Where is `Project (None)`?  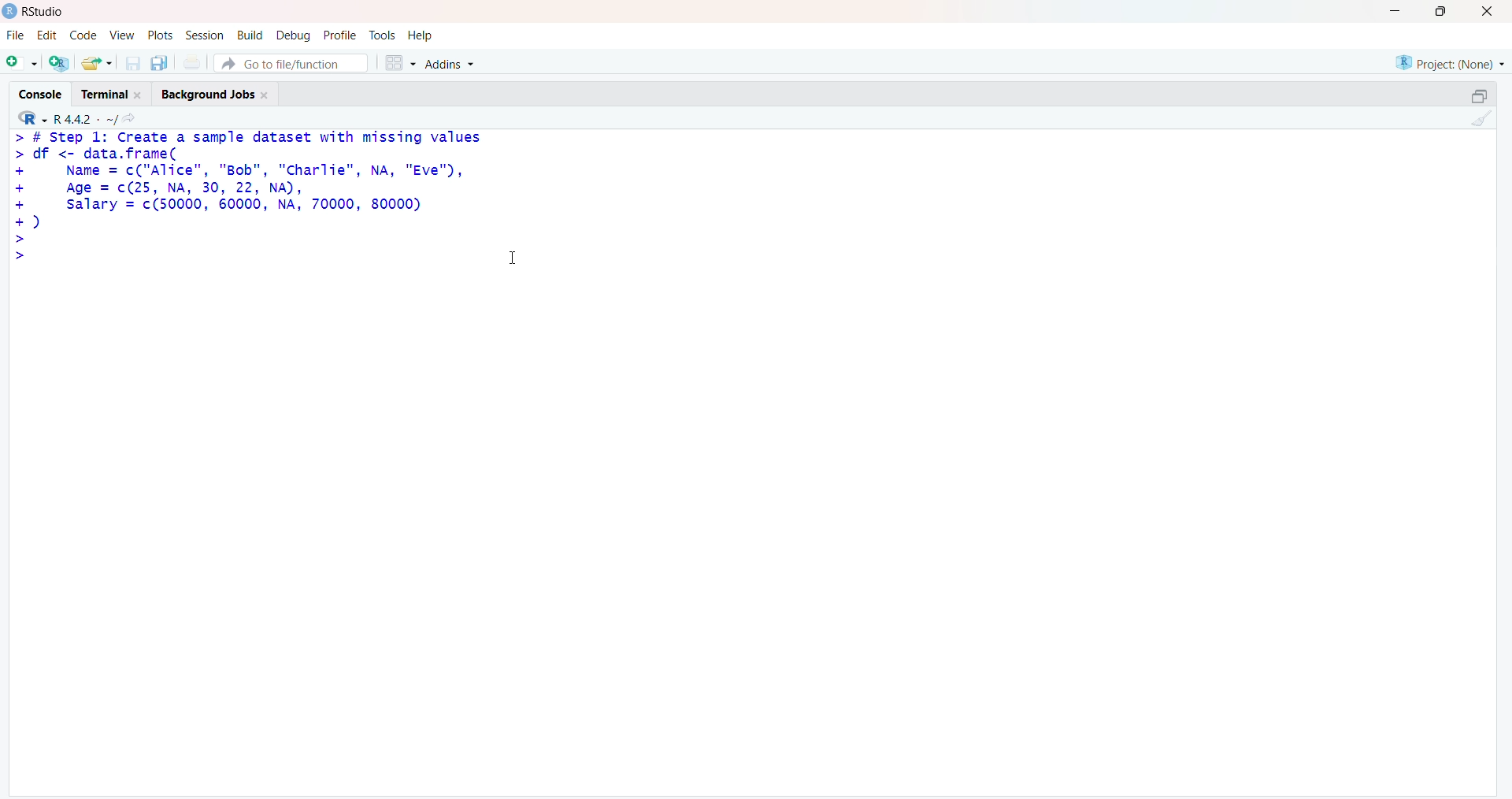
Project (None) is located at coordinates (1449, 62).